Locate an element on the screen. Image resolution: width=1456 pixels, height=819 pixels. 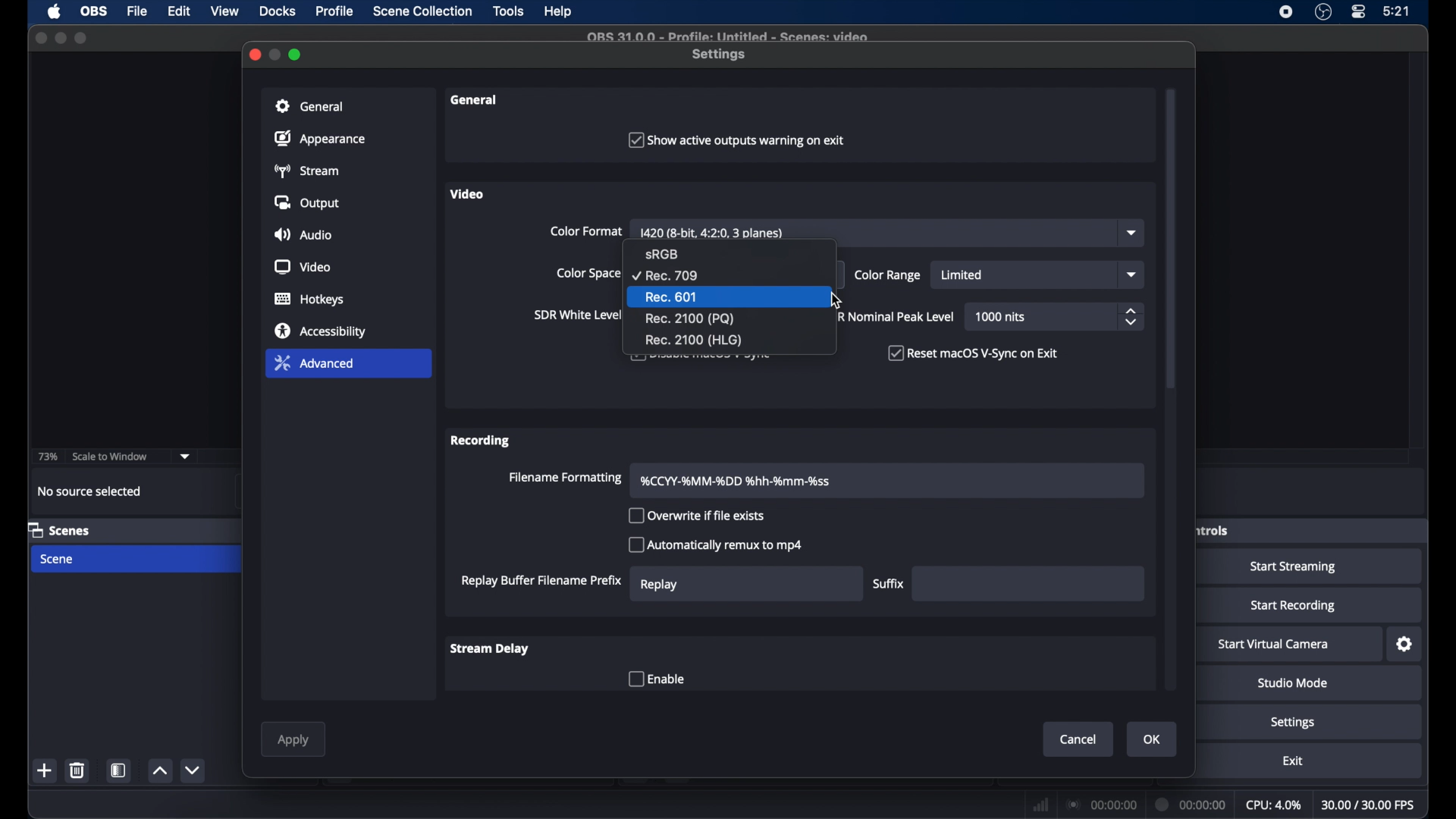
limited is located at coordinates (963, 275).